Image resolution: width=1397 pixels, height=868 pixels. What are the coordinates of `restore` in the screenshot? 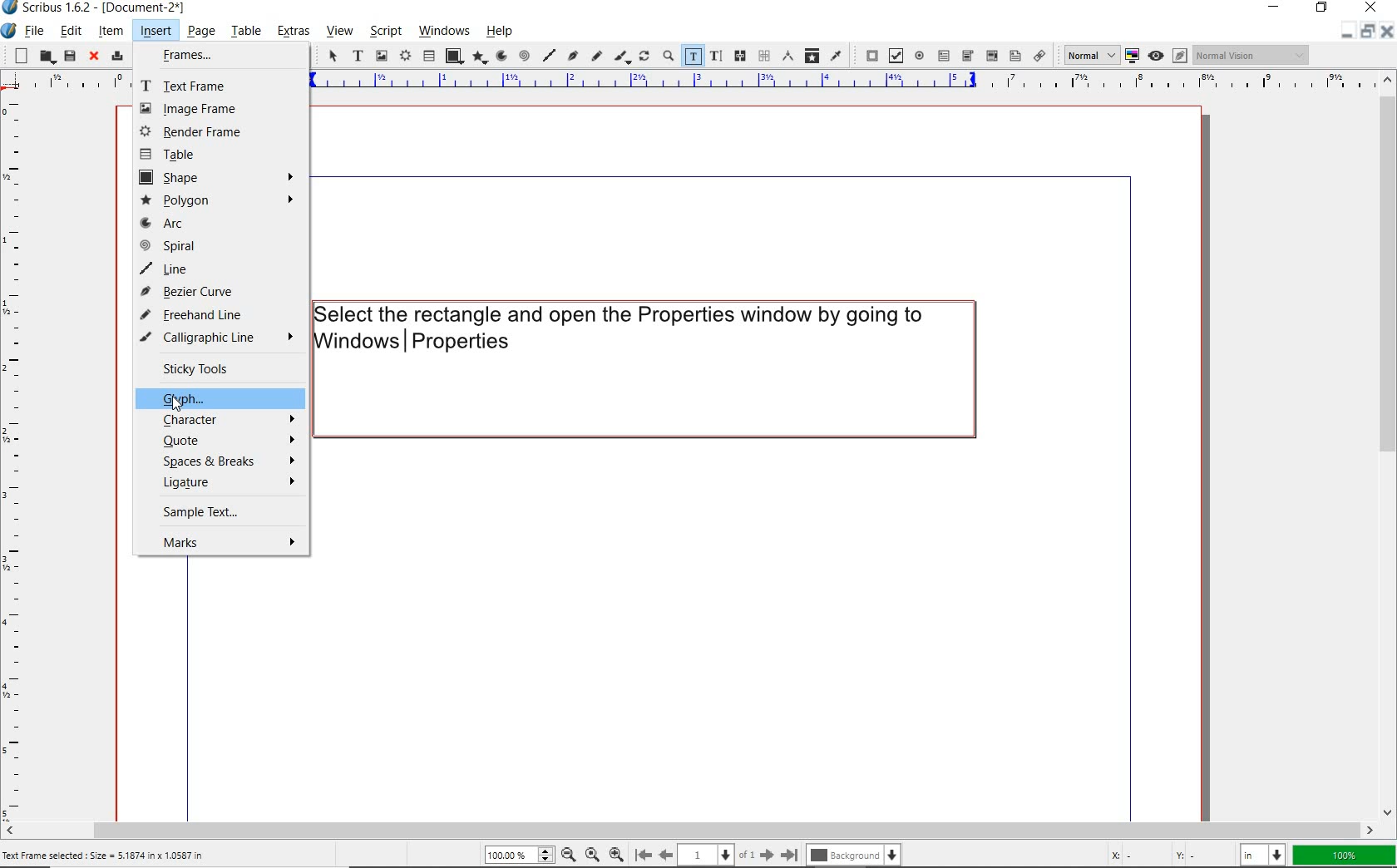 It's located at (1322, 9).